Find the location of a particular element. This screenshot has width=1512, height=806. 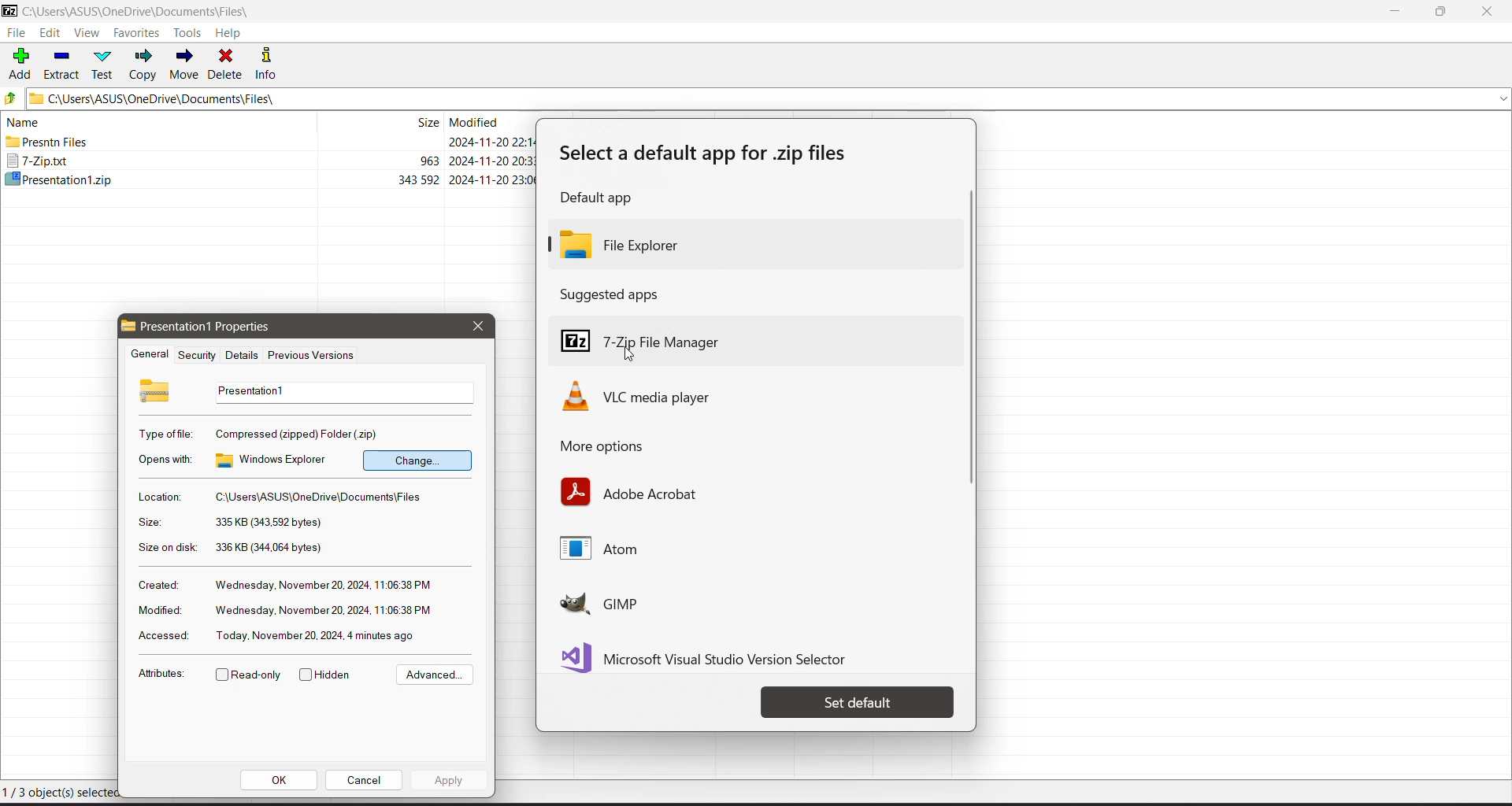

Attributes is located at coordinates (161, 676).